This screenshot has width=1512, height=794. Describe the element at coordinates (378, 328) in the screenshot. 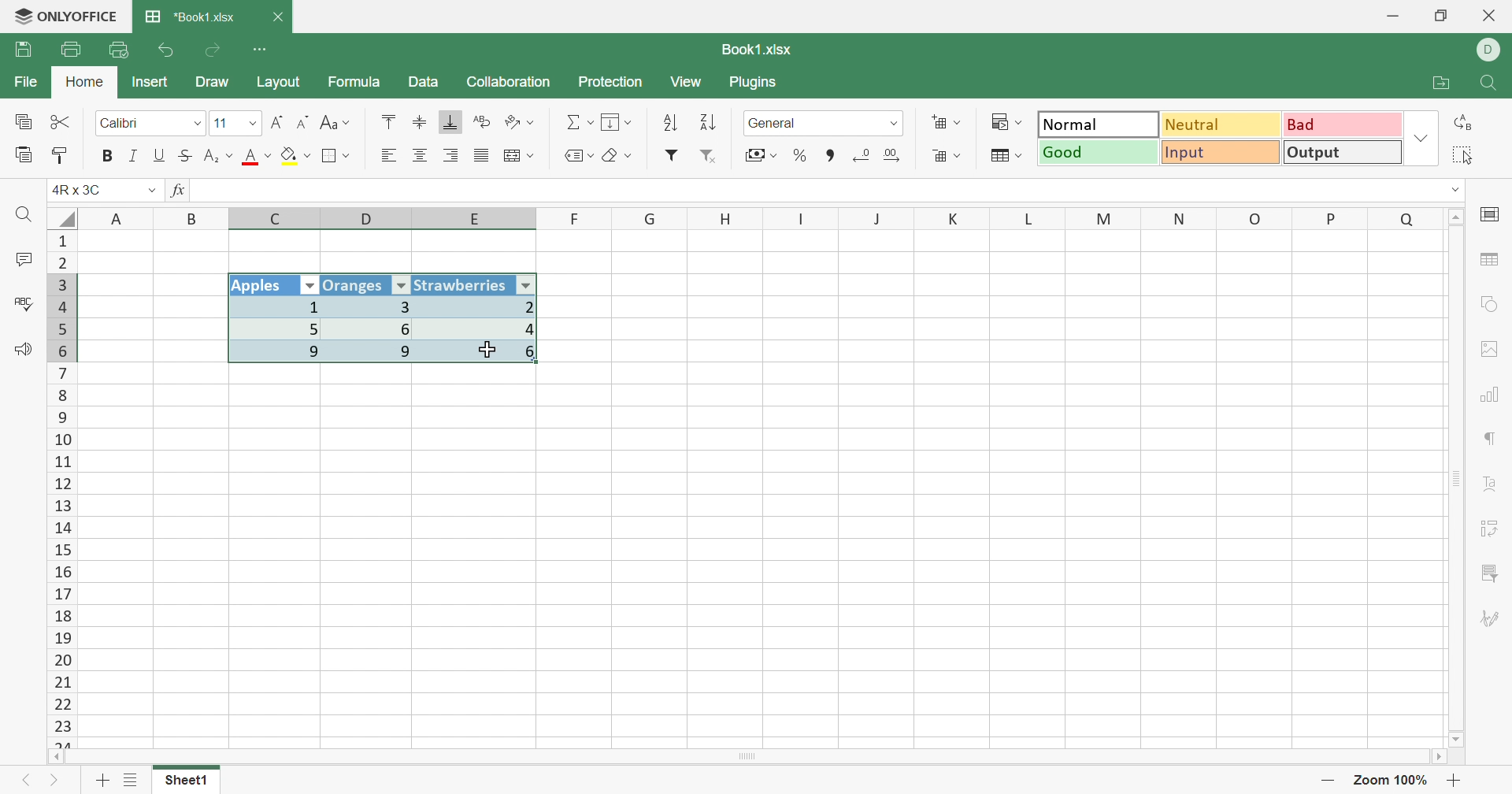

I see `6` at that location.